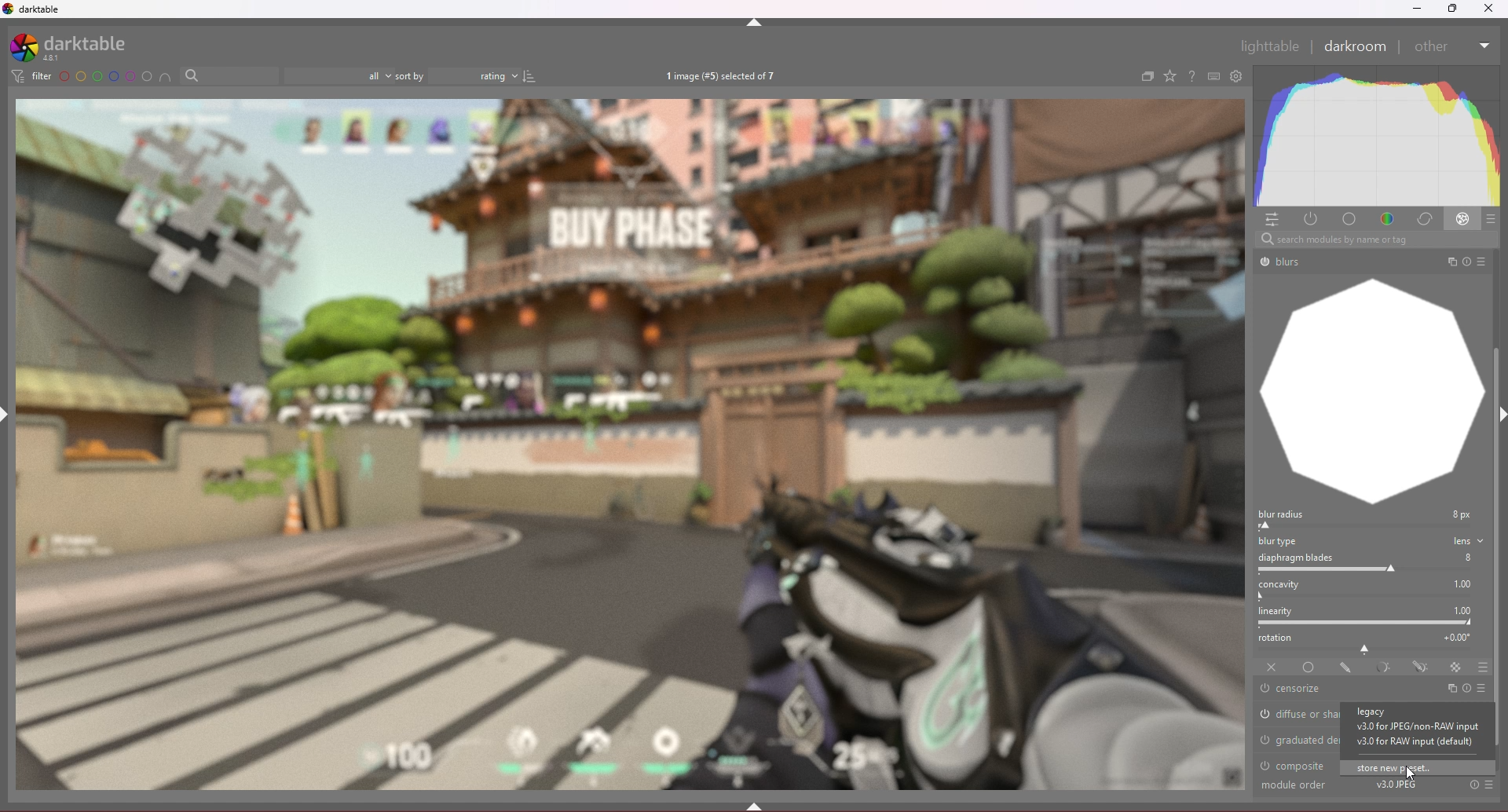  Describe the element at coordinates (1449, 689) in the screenshot. I see `multi instances actions` at that location.